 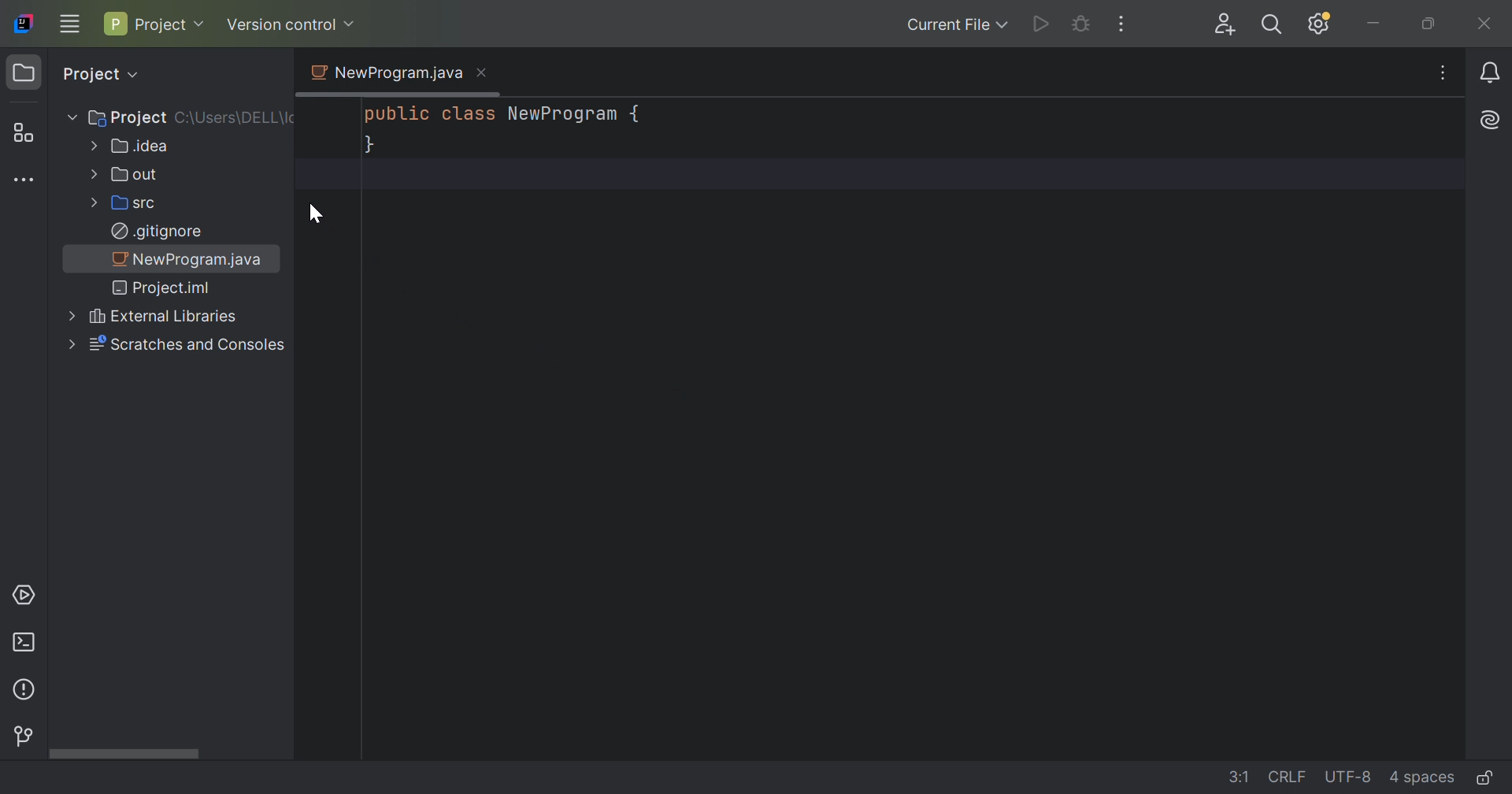 I want to click on Drop Down, so click(x=69, y=314).